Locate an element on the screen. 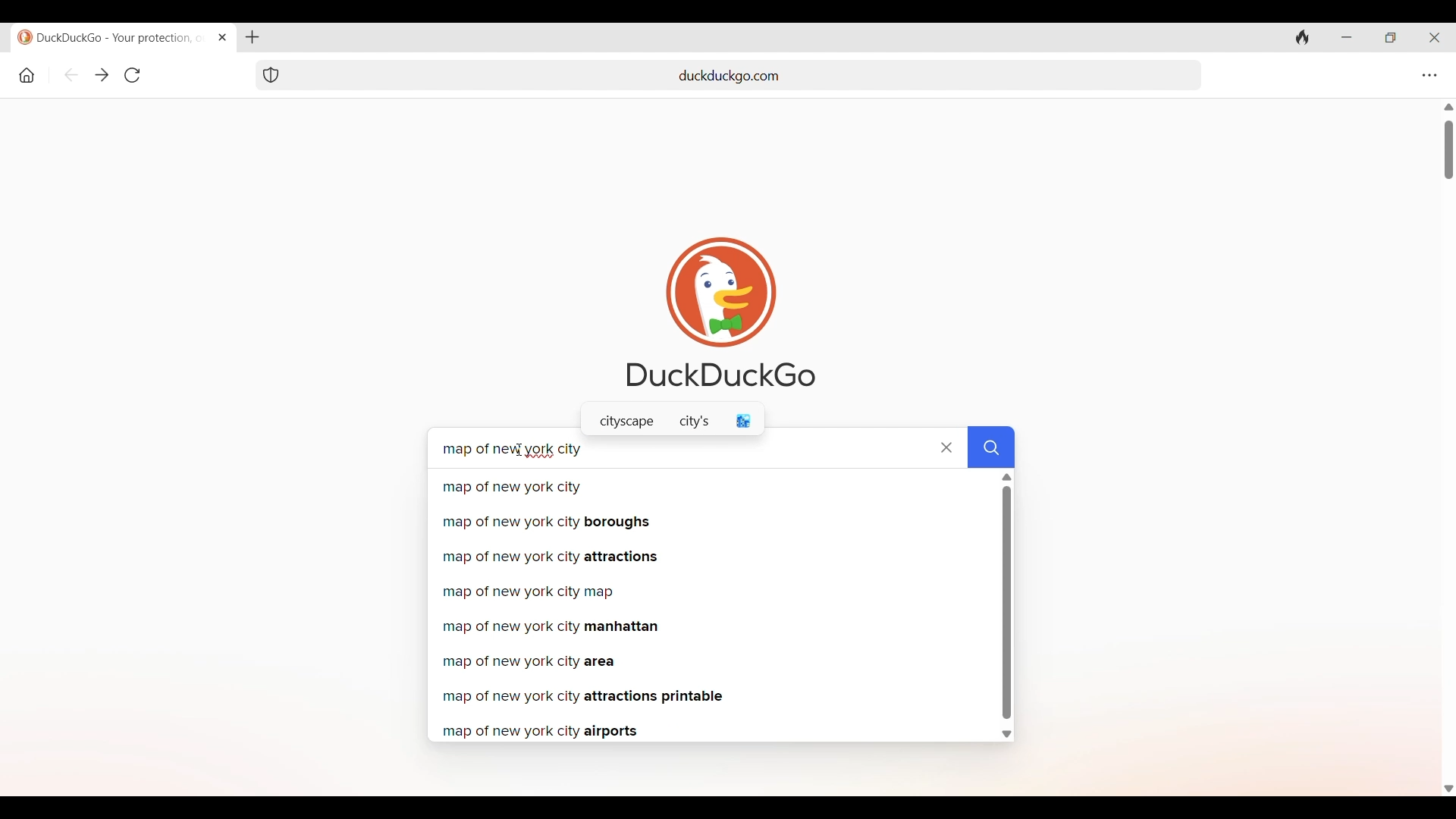  map of new york city manhattan is located at coordinates (714, 628).